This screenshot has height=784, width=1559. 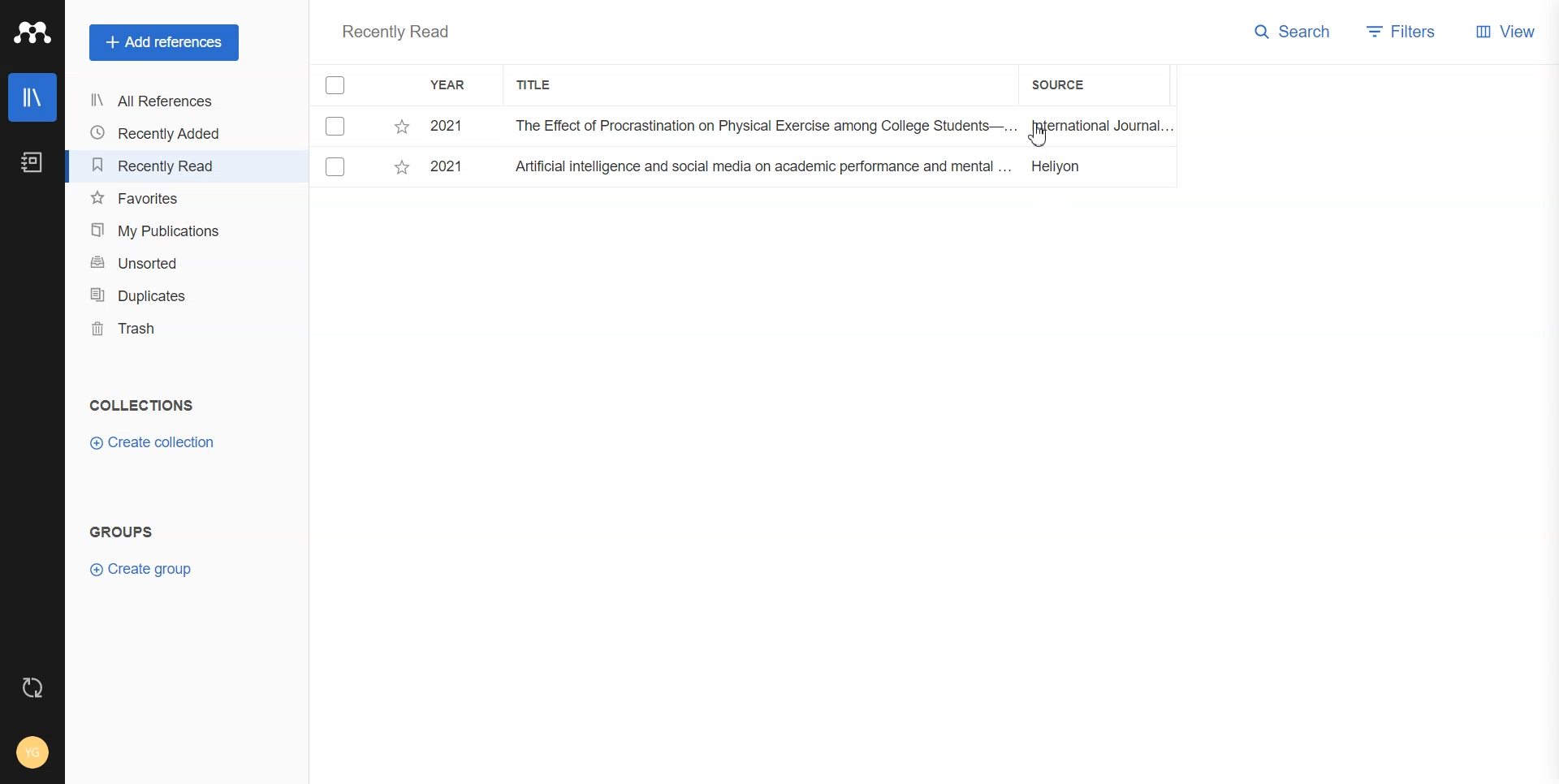 I want to click on Checkbox, so click(x=336, y=167).